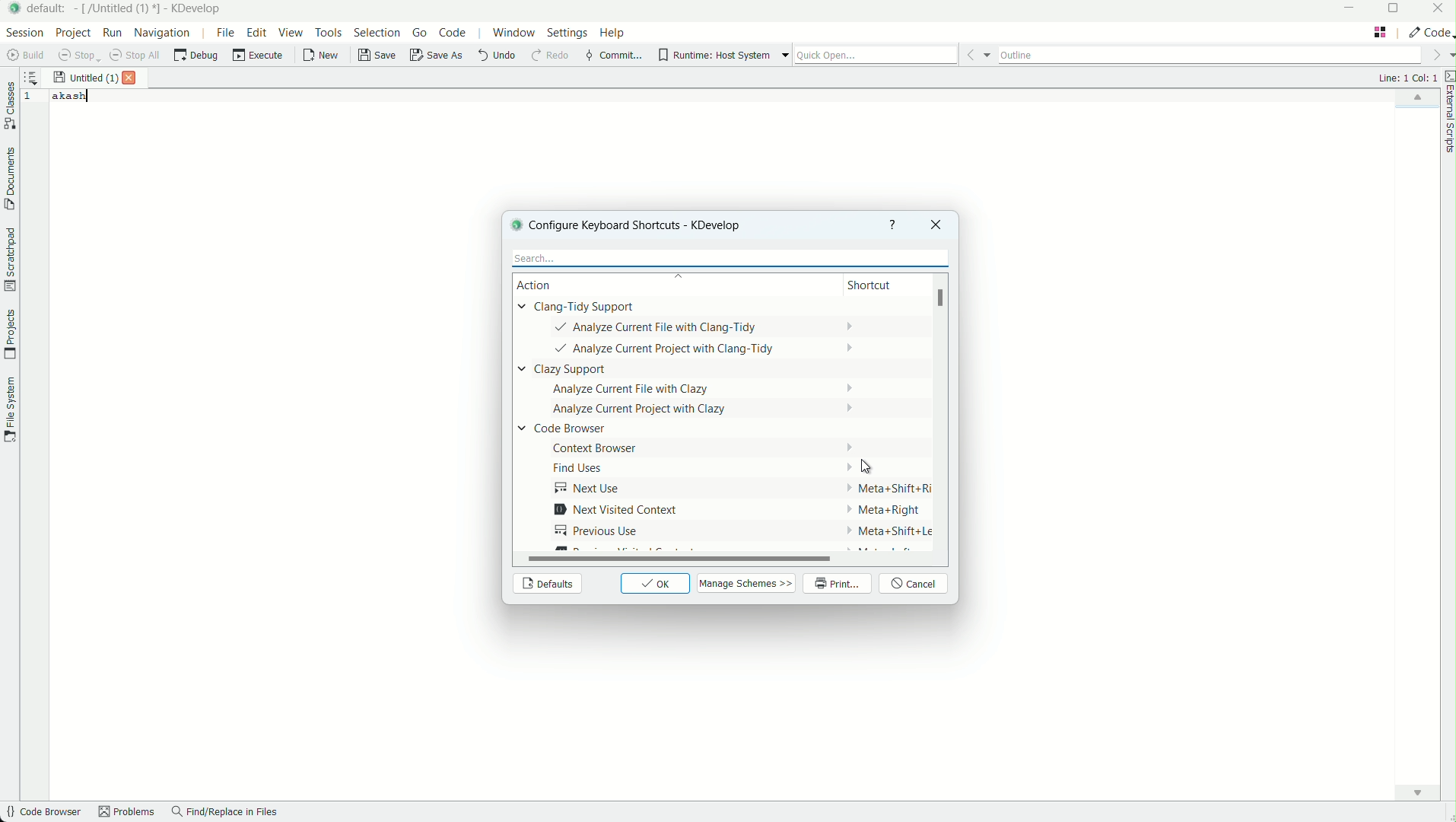 The image size is (1456, 822). I want to click on code menu, so click(453, 33).